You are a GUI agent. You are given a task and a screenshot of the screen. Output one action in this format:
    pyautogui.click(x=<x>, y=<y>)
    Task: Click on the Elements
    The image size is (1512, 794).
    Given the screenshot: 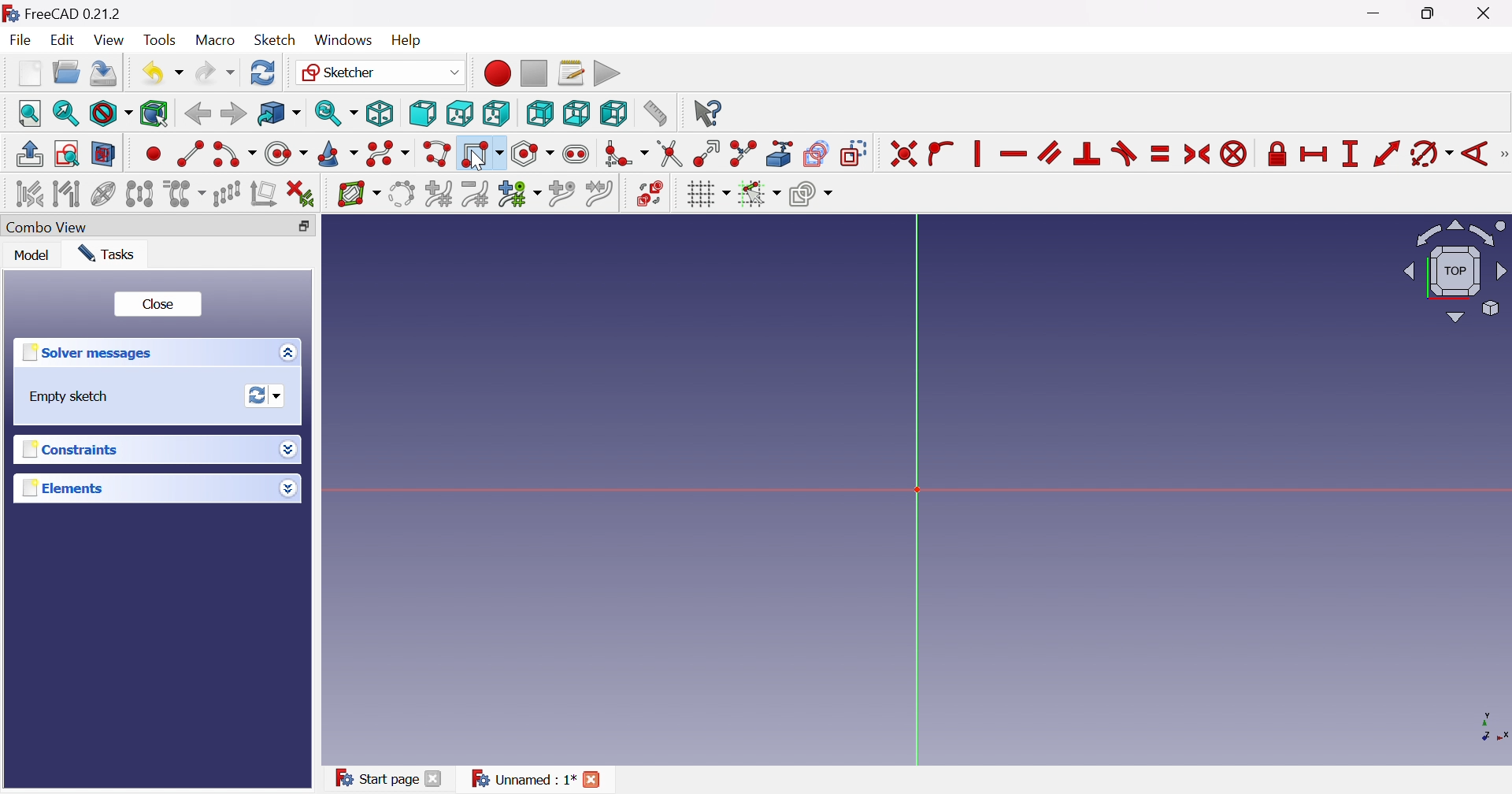 What is the action you would take?
    pyautogui.click(x=64, y=488)
    